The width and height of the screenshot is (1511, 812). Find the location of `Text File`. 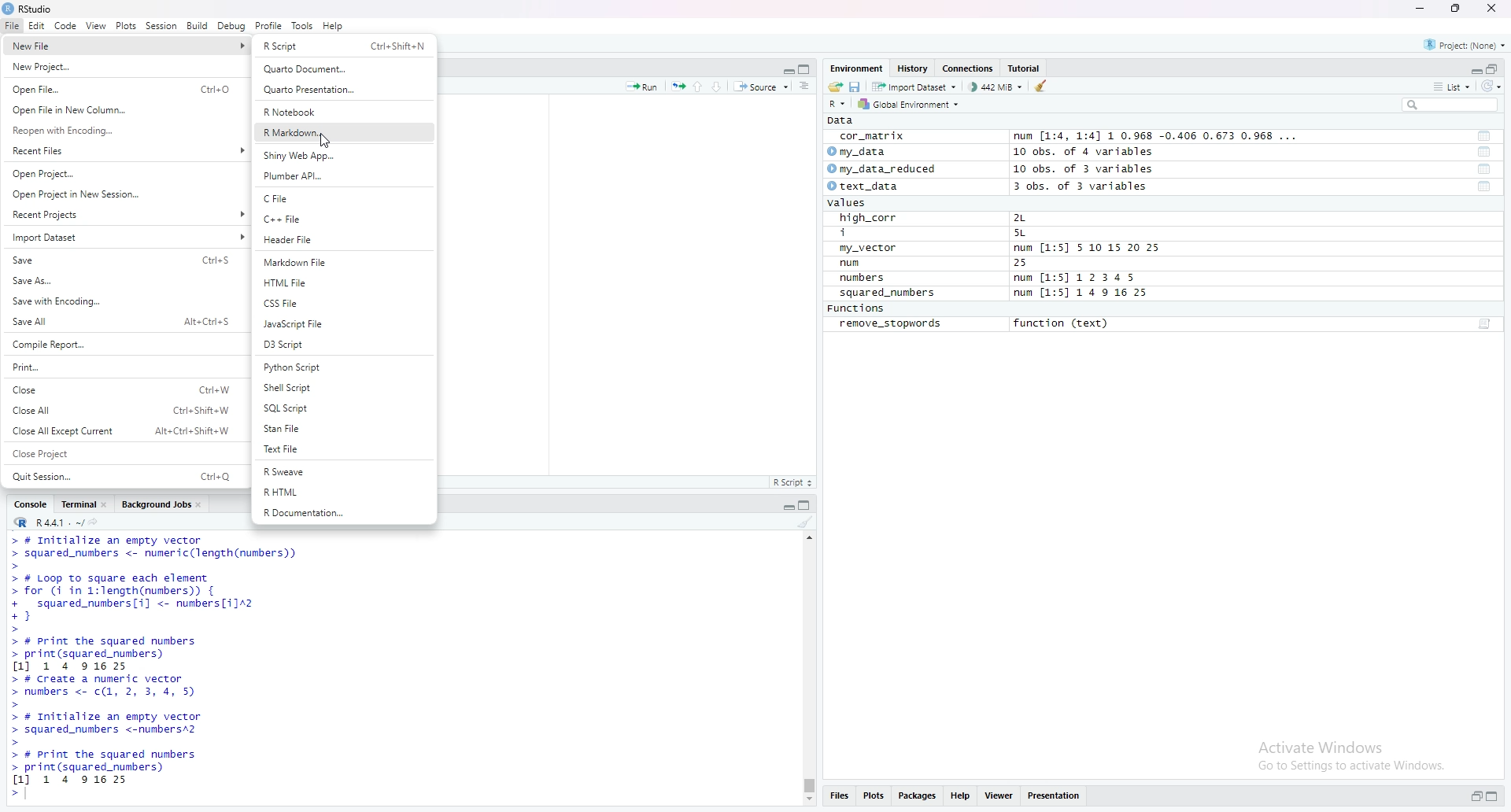

Text File is located at coordinates (345, 451).